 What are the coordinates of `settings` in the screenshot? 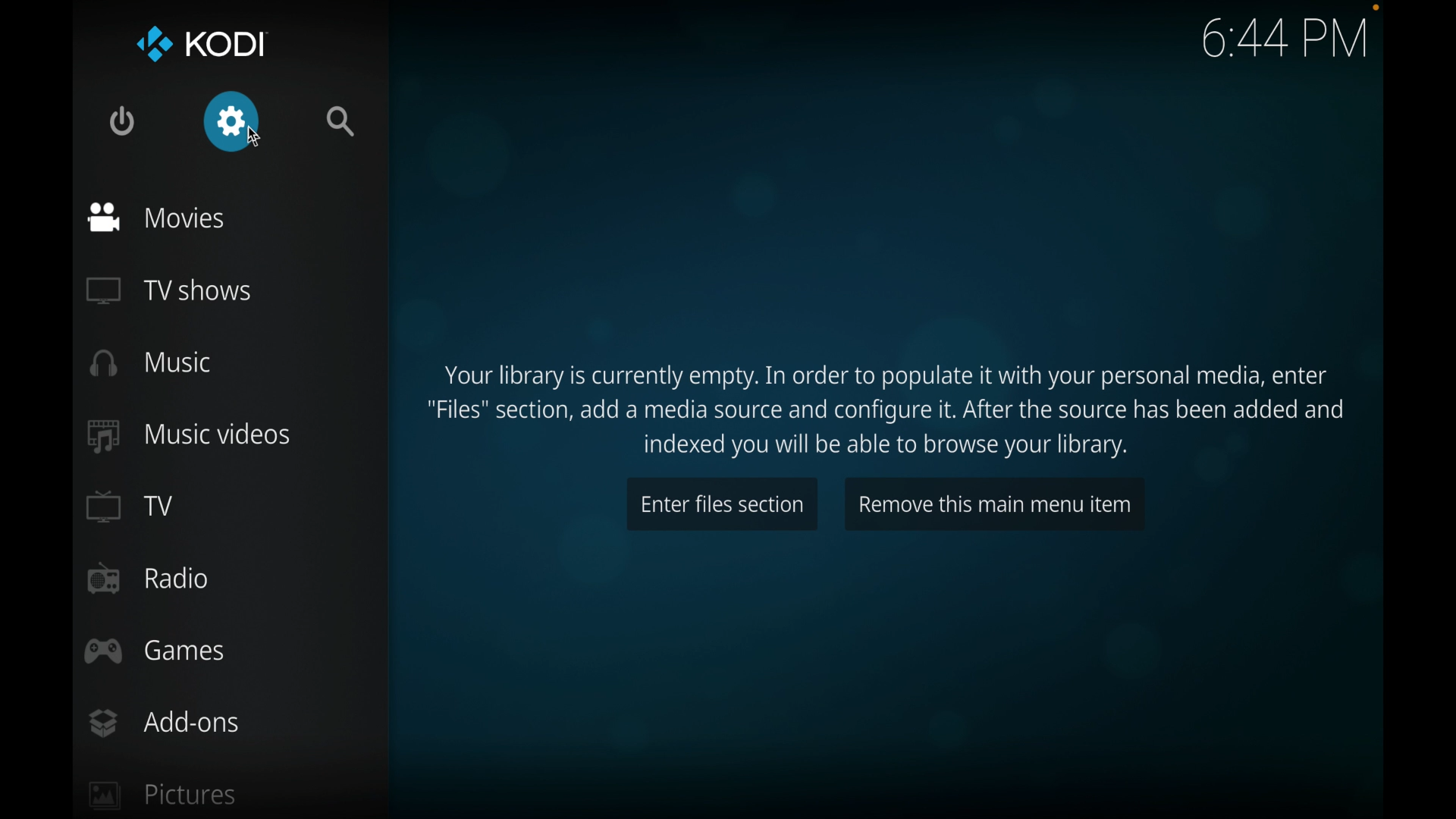 It's located at (232, 122).